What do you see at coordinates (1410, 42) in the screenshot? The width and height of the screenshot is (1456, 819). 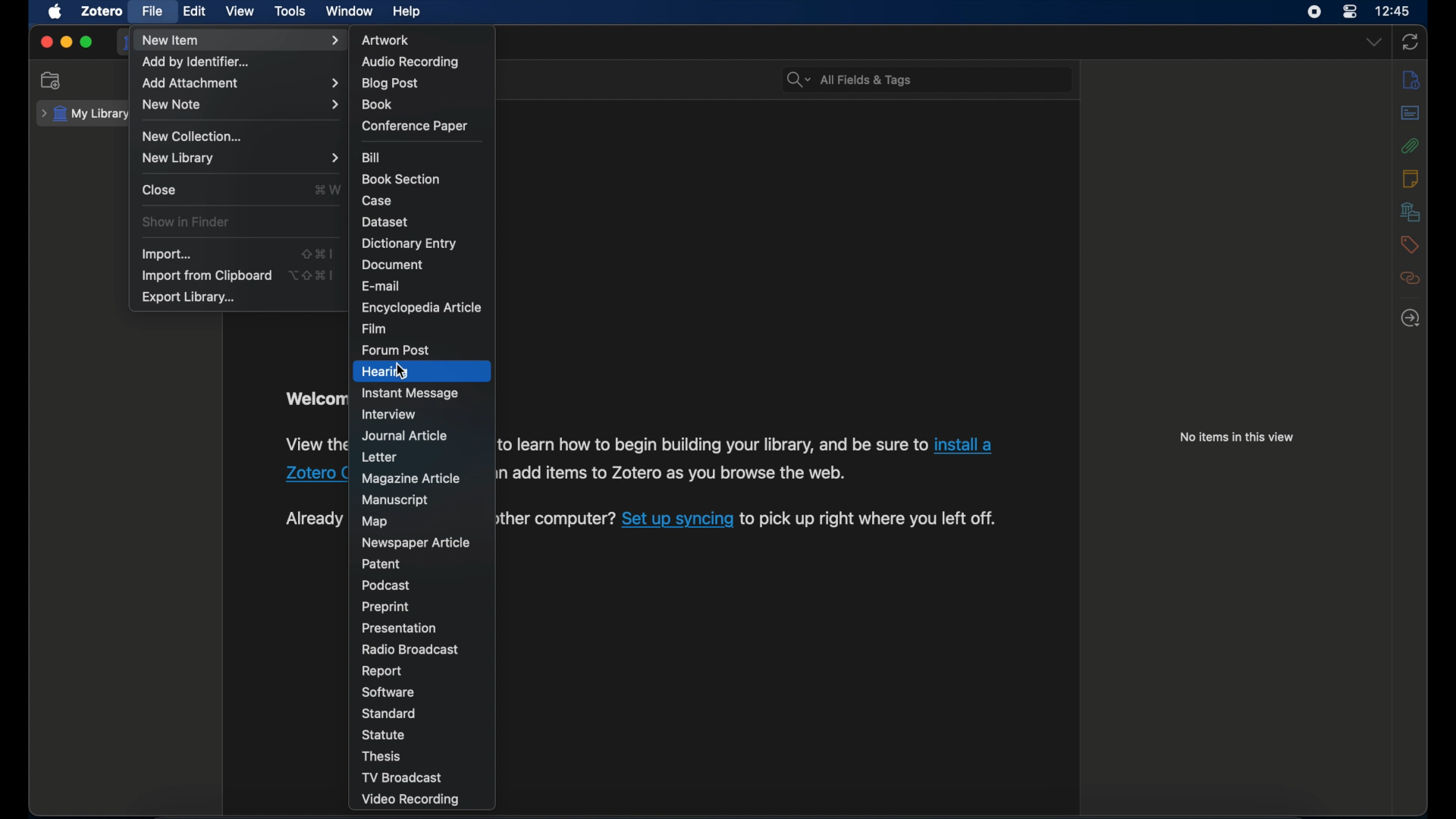 I see `sync` at bounding box center [1410, 42].